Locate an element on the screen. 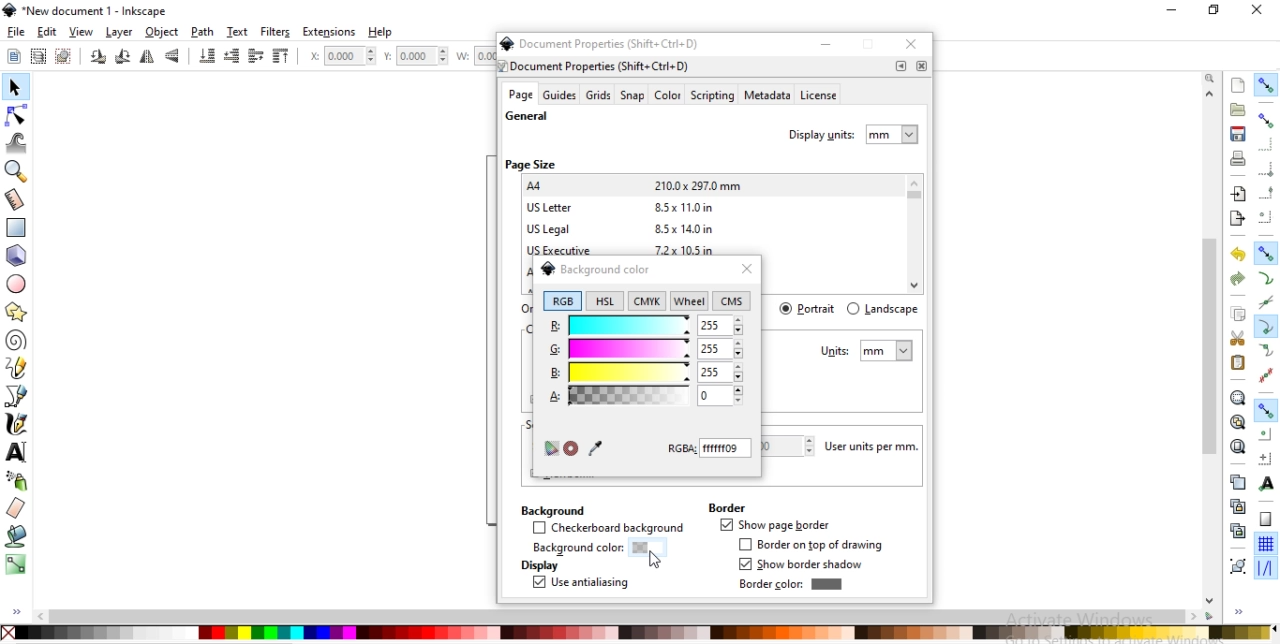 This screenshot has width=1280, height=644. general is located at coordinates (527, 117).